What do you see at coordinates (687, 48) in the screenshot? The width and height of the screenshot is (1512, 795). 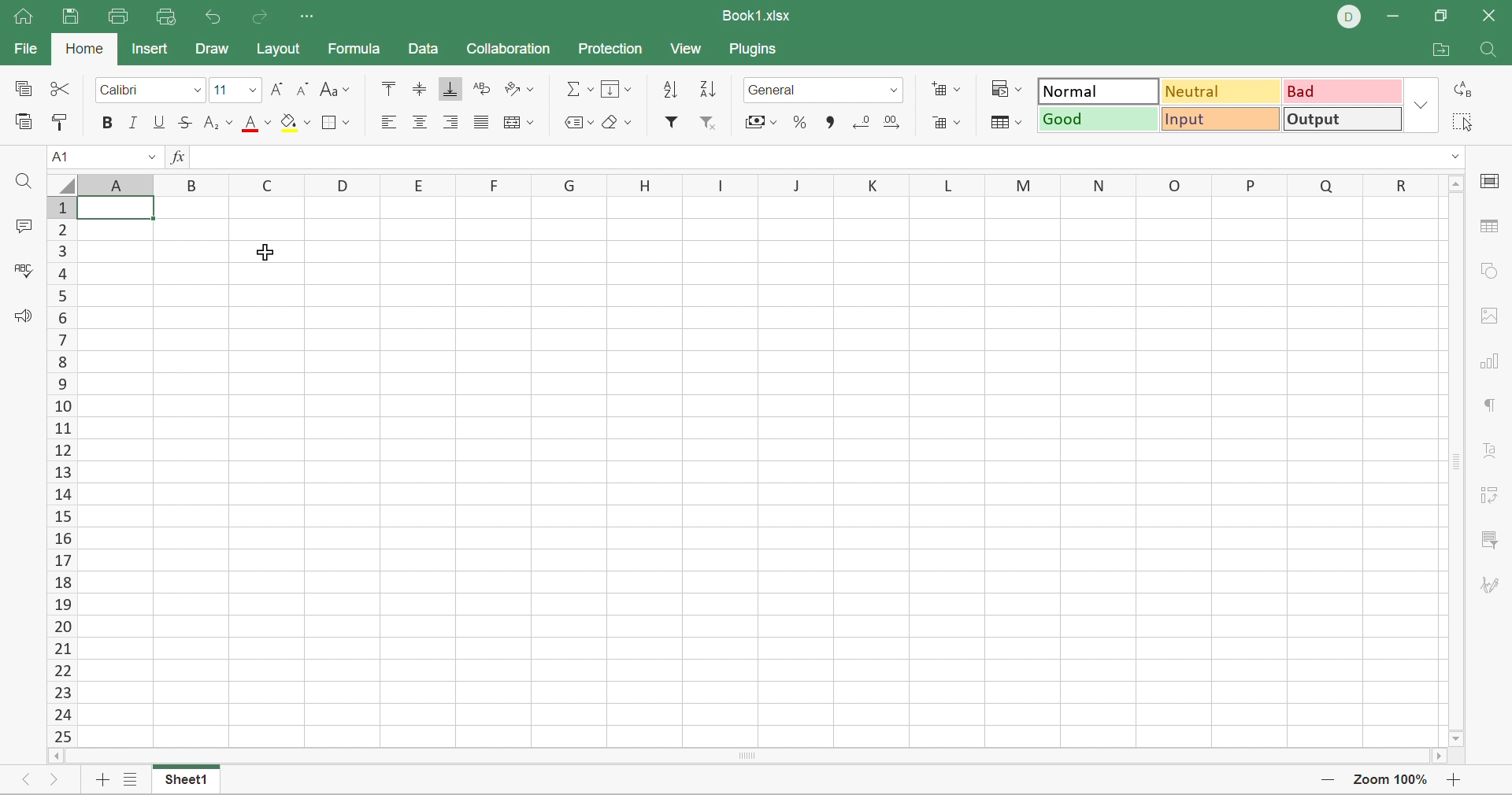 I see `View` at bounding box center [687, 48].